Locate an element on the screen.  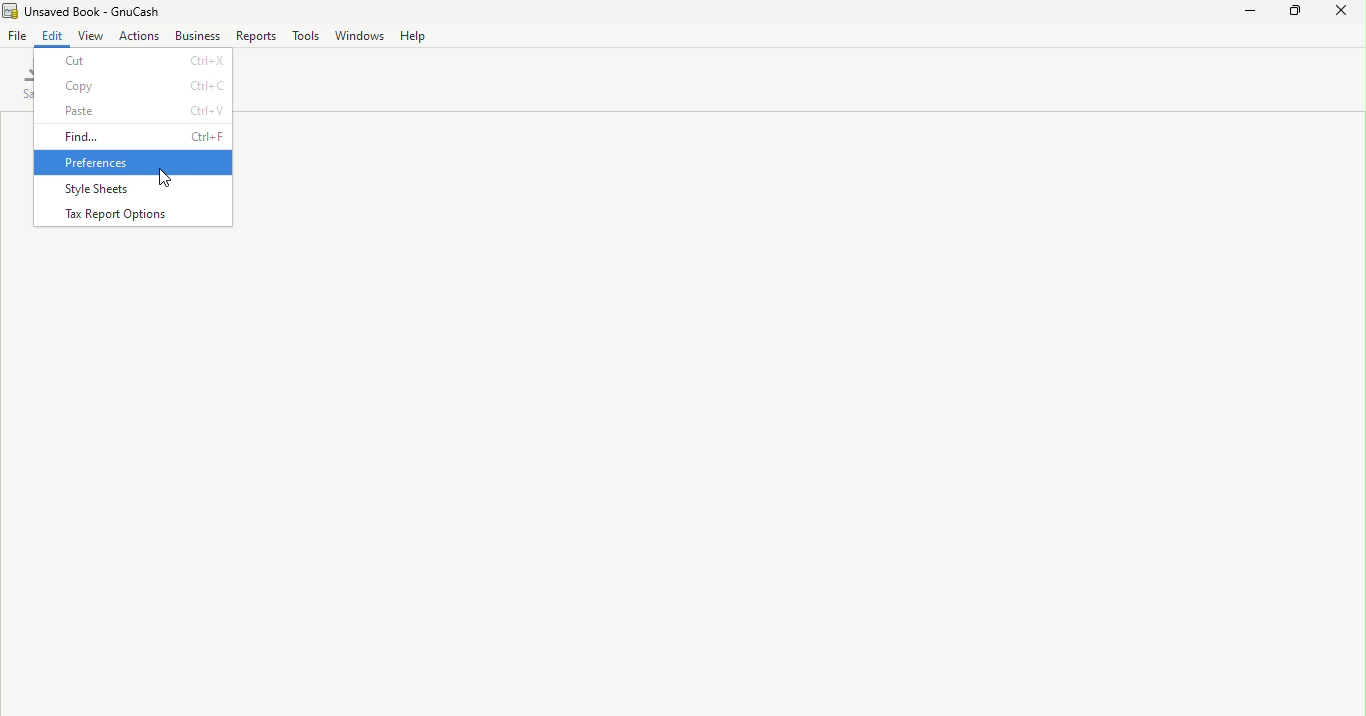
Preferences is located at coordinates (134, 163).